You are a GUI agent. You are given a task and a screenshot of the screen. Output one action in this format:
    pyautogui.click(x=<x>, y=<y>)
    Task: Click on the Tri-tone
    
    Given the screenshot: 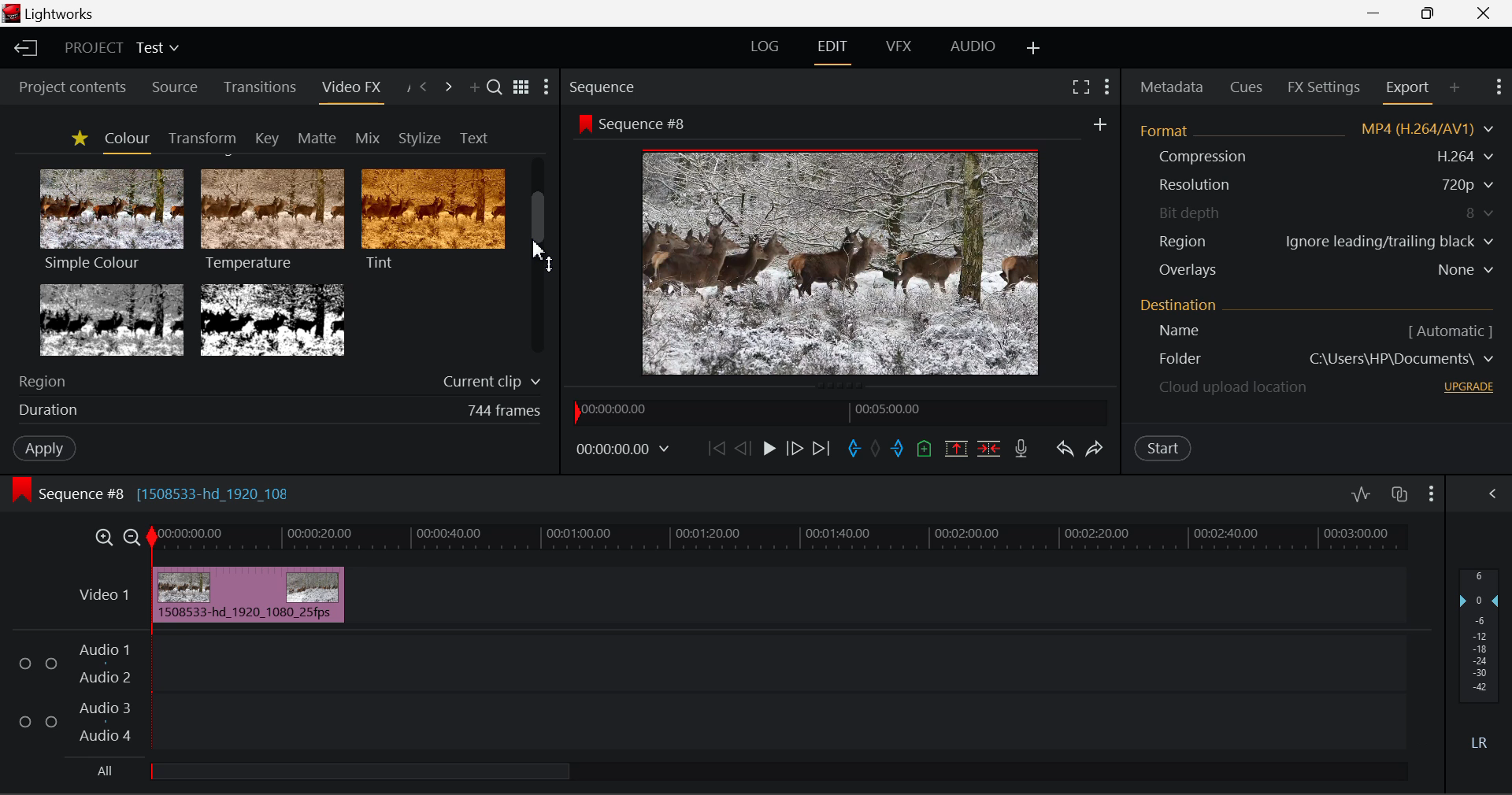 What is the action you would take?
    pyautogui.click(x=113, y=319)
    